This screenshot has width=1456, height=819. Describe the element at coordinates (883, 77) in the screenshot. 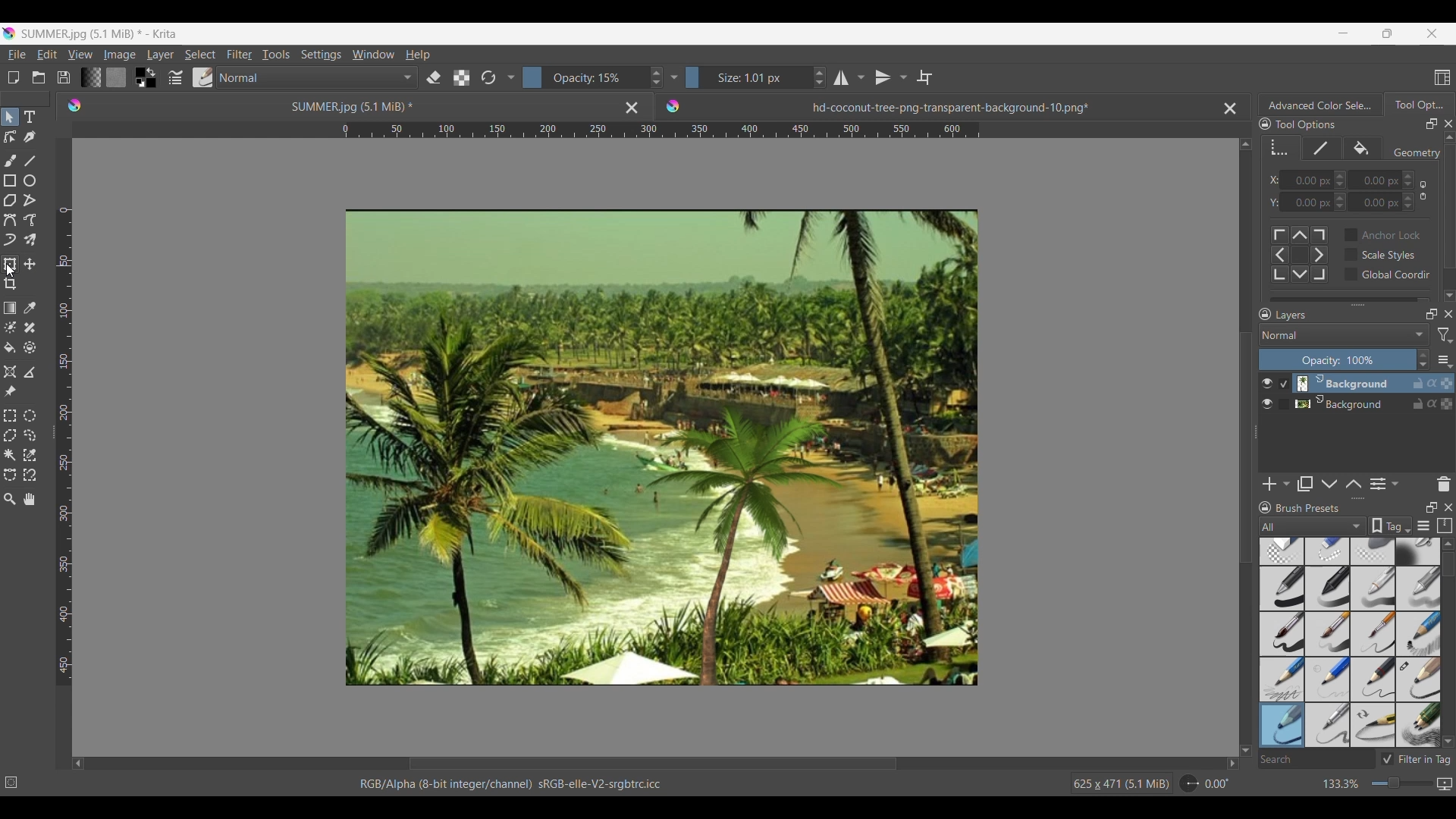

I see `Vertical flip options` at that location.